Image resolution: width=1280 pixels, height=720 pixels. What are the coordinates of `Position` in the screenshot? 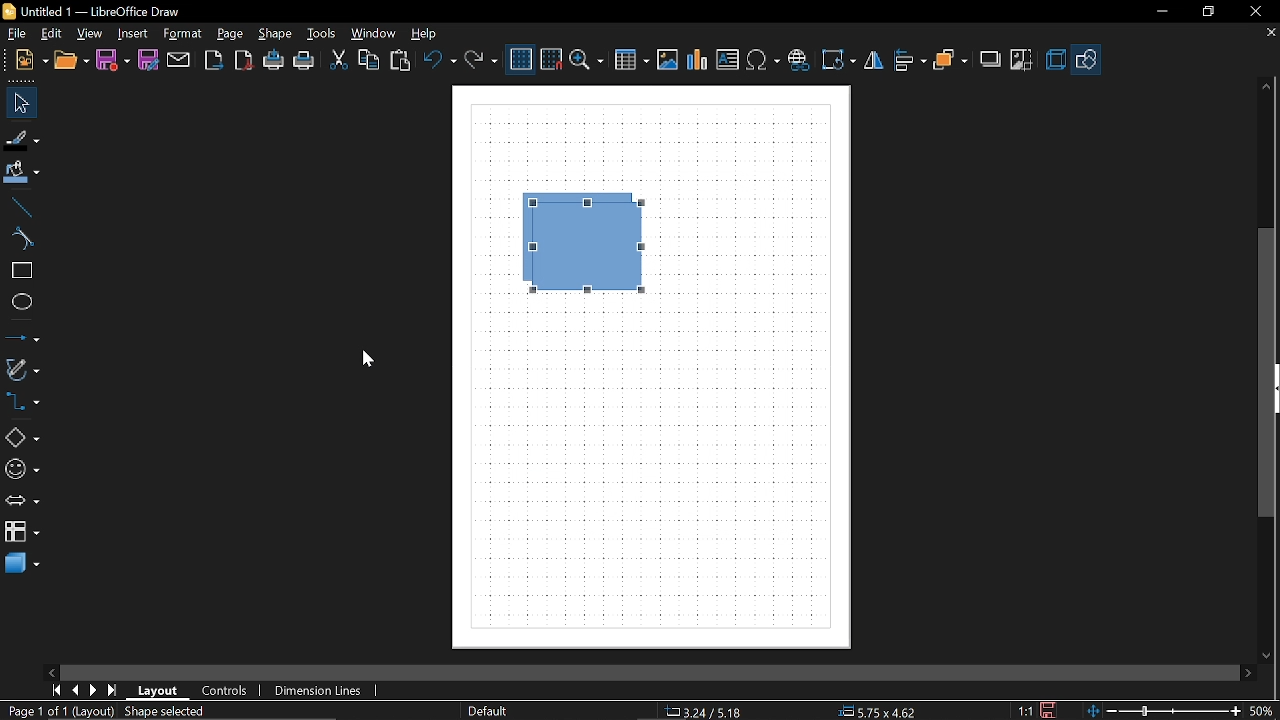 It's located at (874, 711).